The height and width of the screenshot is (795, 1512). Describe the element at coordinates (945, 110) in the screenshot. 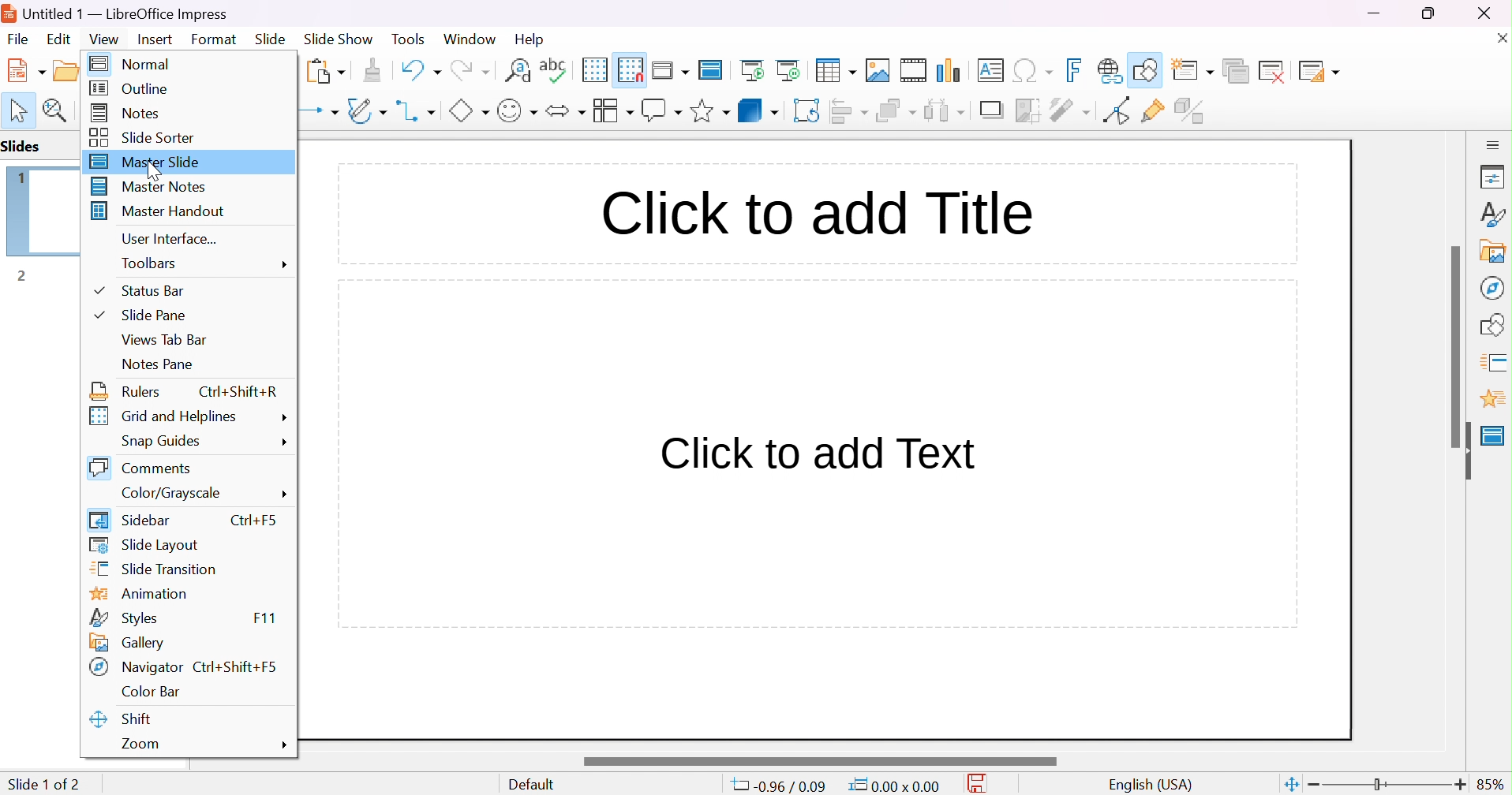

I see `select at least three objects to distribute` at that location.